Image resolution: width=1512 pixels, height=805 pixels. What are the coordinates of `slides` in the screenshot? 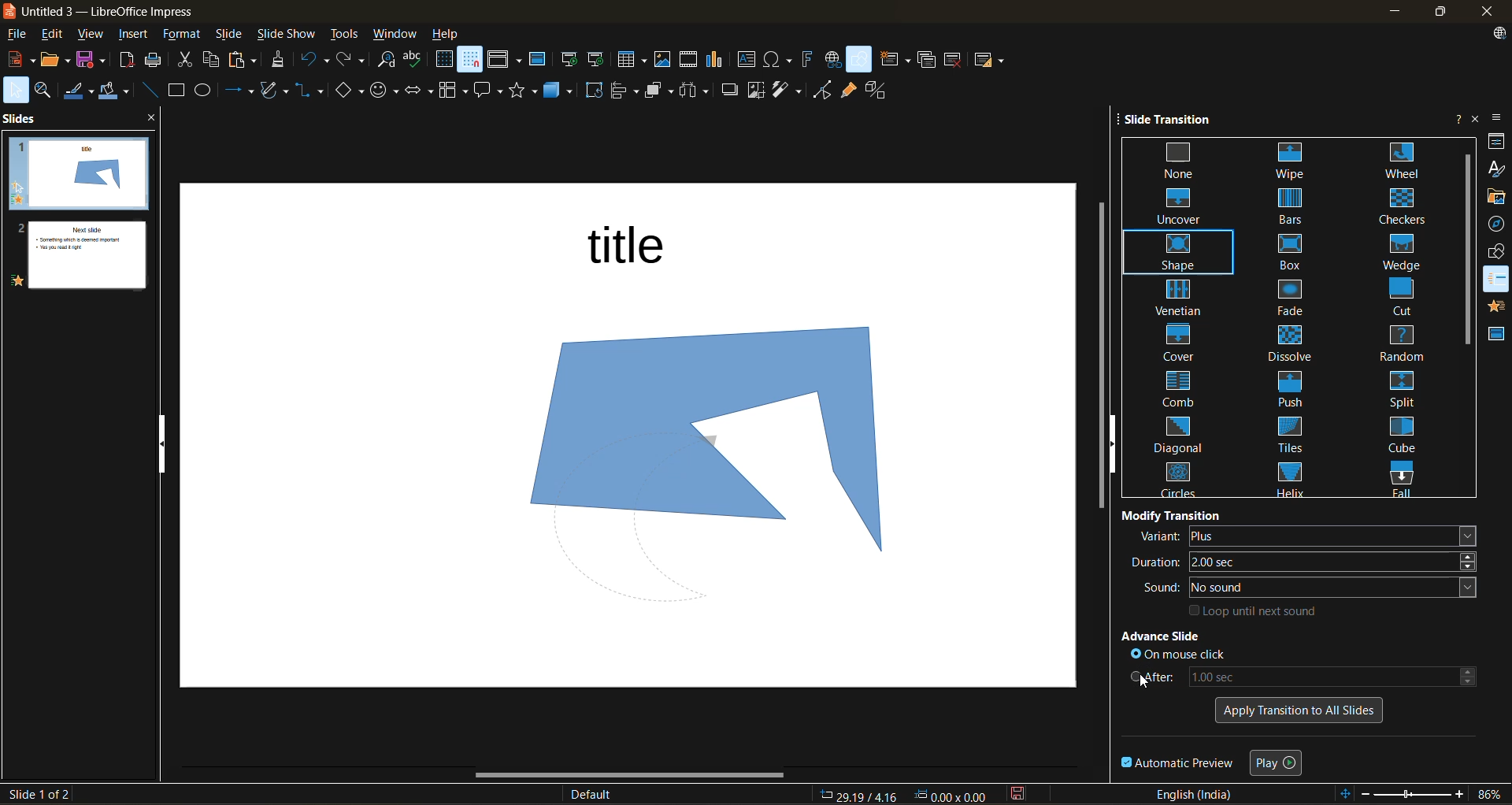 It's located at (22, 121).